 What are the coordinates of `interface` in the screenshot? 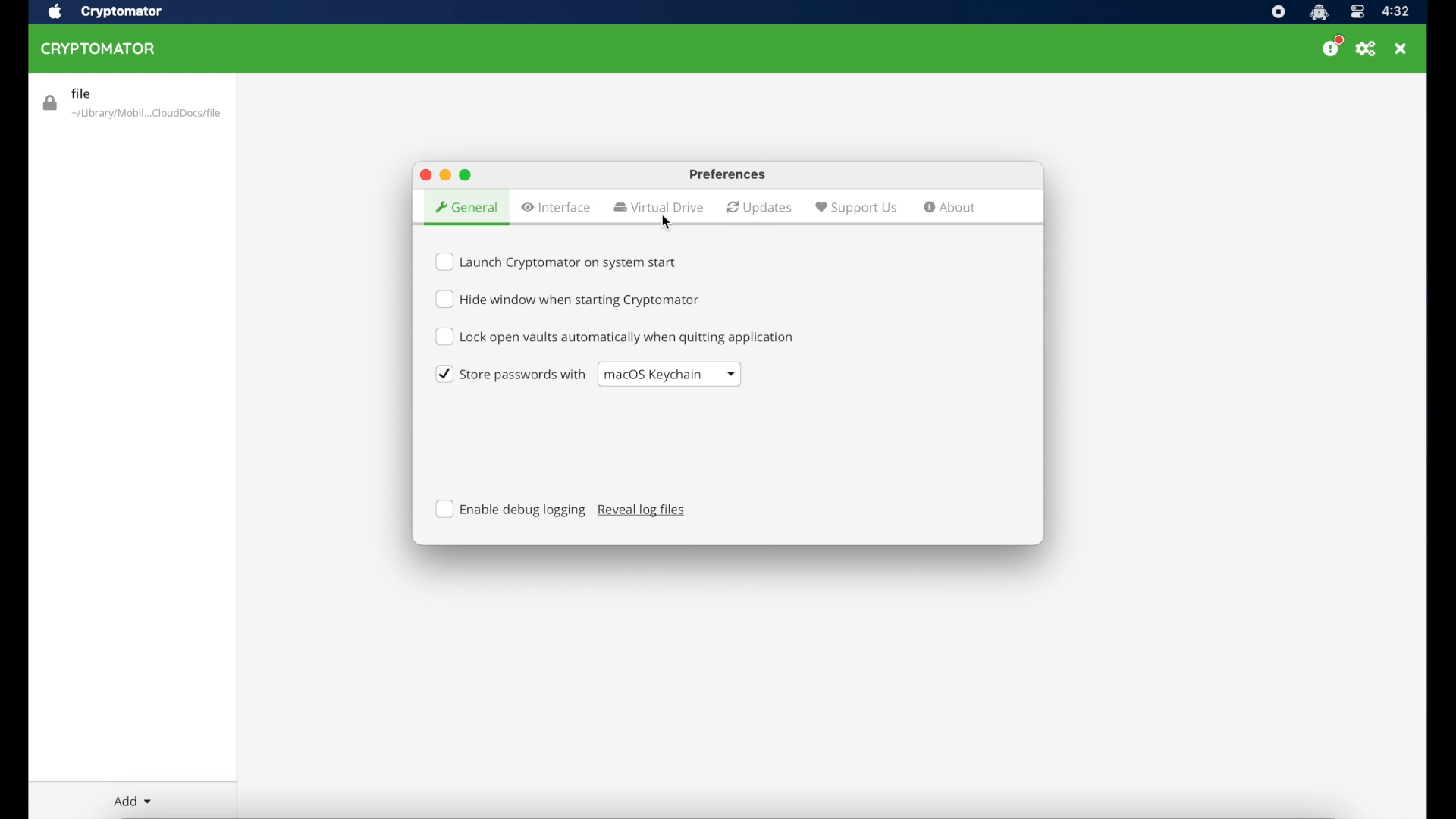 It's located at (557, 207).